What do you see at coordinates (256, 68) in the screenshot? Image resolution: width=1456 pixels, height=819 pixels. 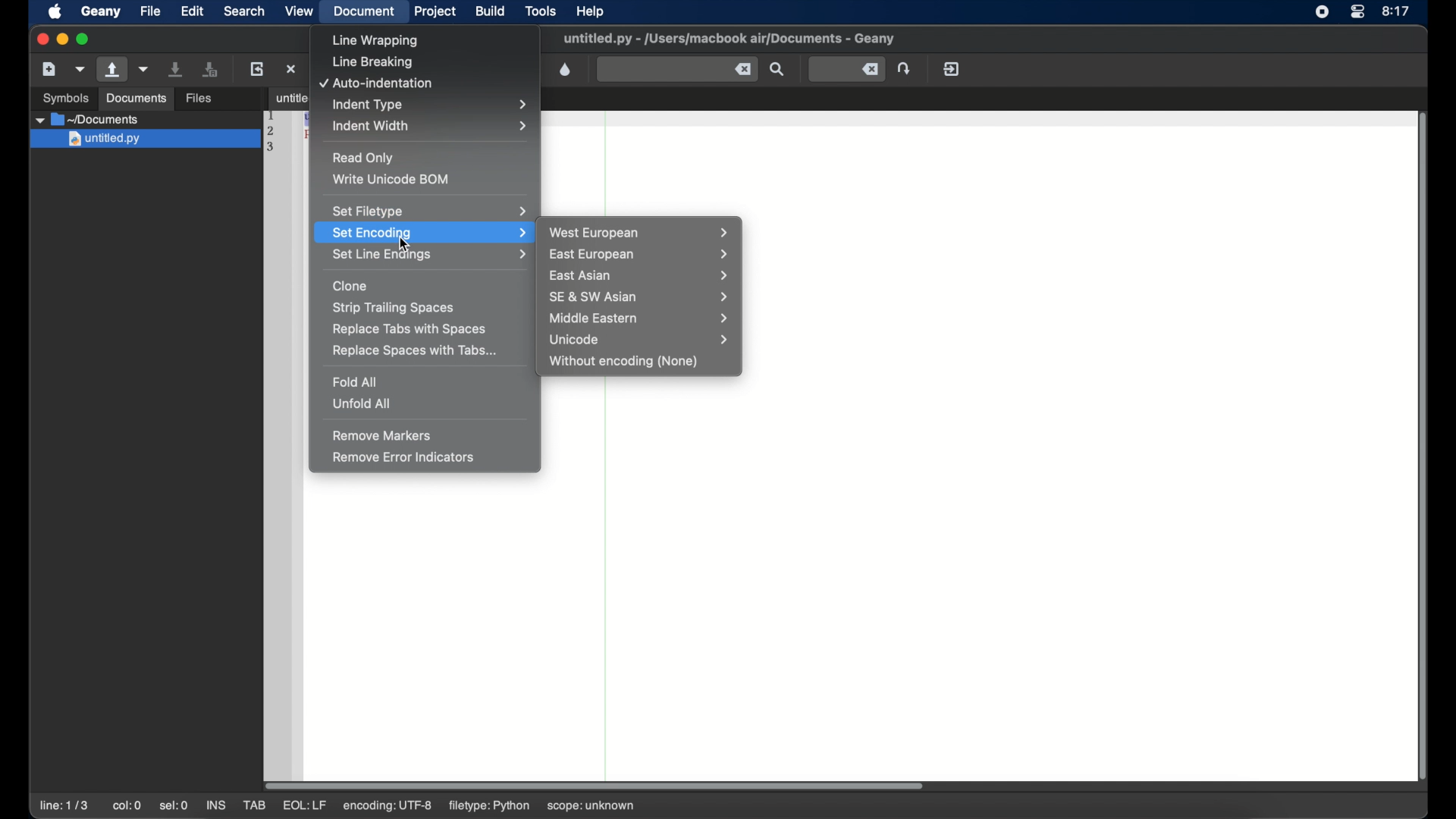 I see `reload the current file from disk` at bounding box center [256, 68].